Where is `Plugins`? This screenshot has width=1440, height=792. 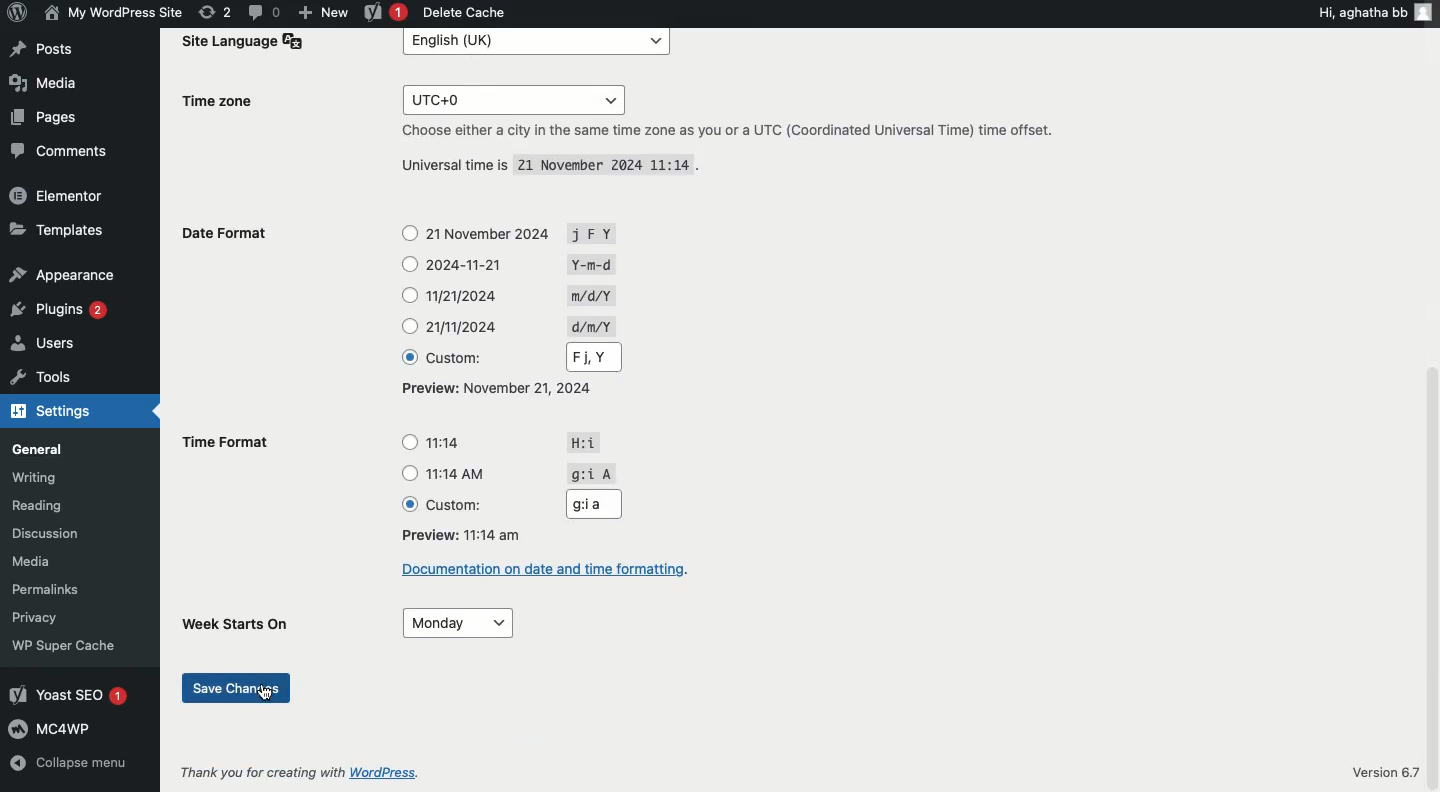
Plugins is located at coordinates (55, 309).